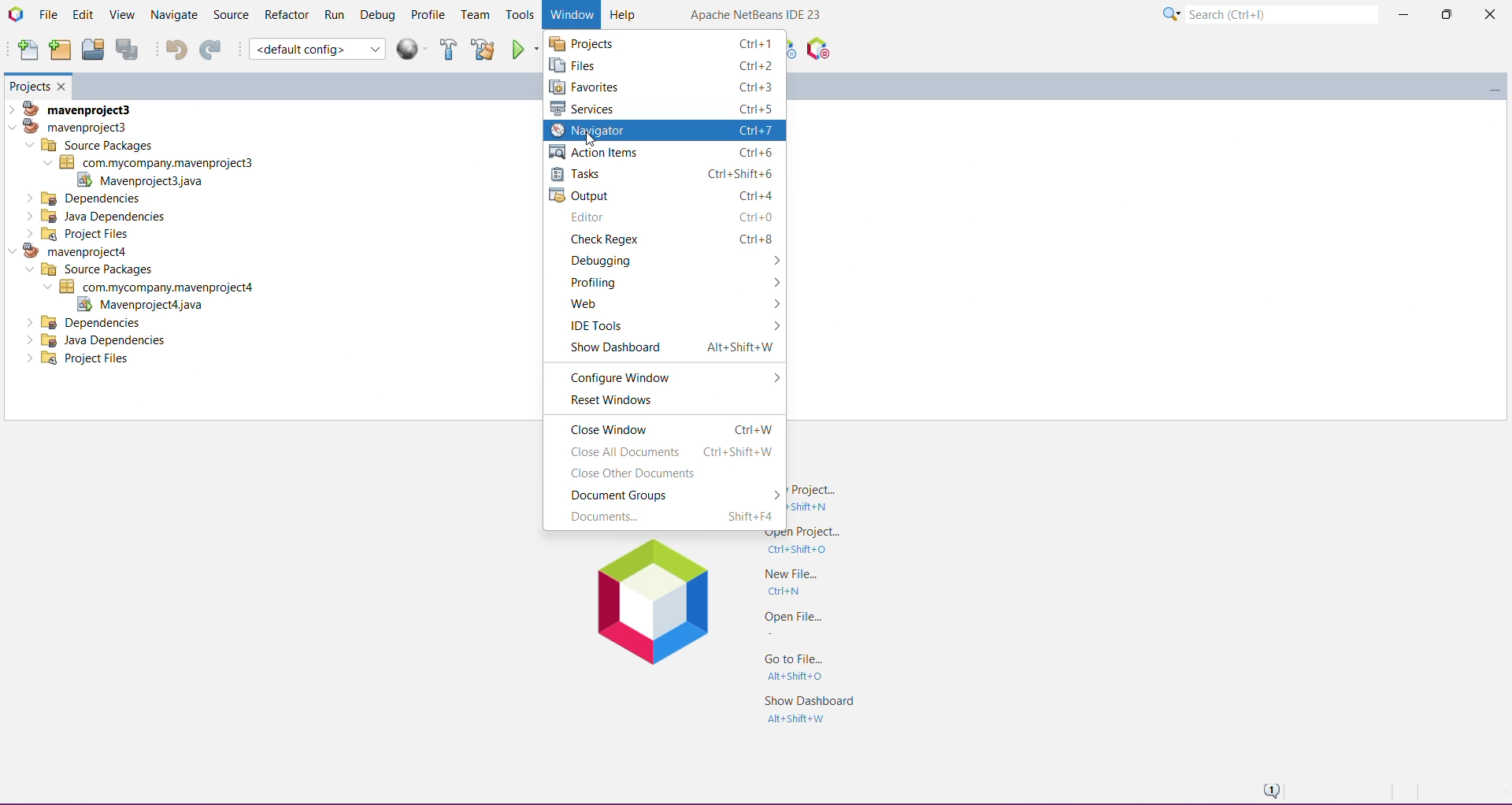 This screenshot has width=1512, height=805. Describe the element at coordinates (87, 270) in the screenshot. I see `Source Packages` at that location.